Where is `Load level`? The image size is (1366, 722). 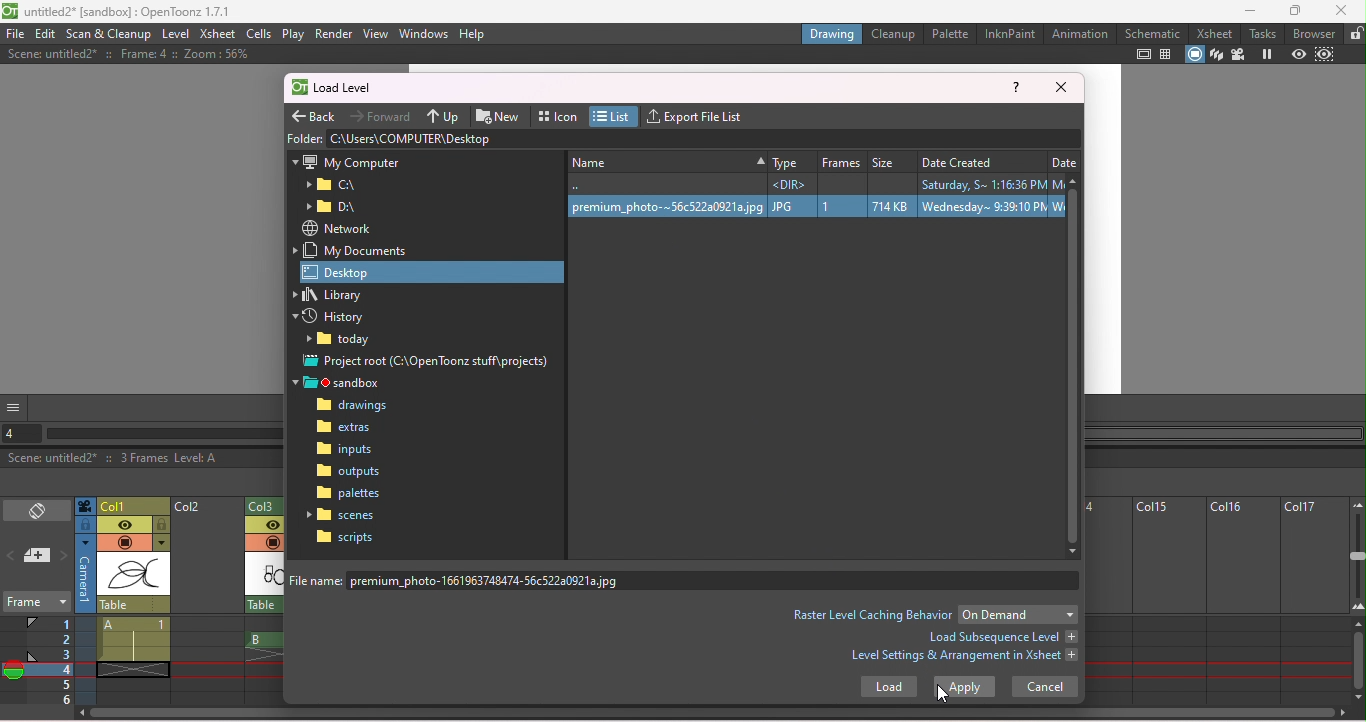 Load level is located at coordinates (343, 89).